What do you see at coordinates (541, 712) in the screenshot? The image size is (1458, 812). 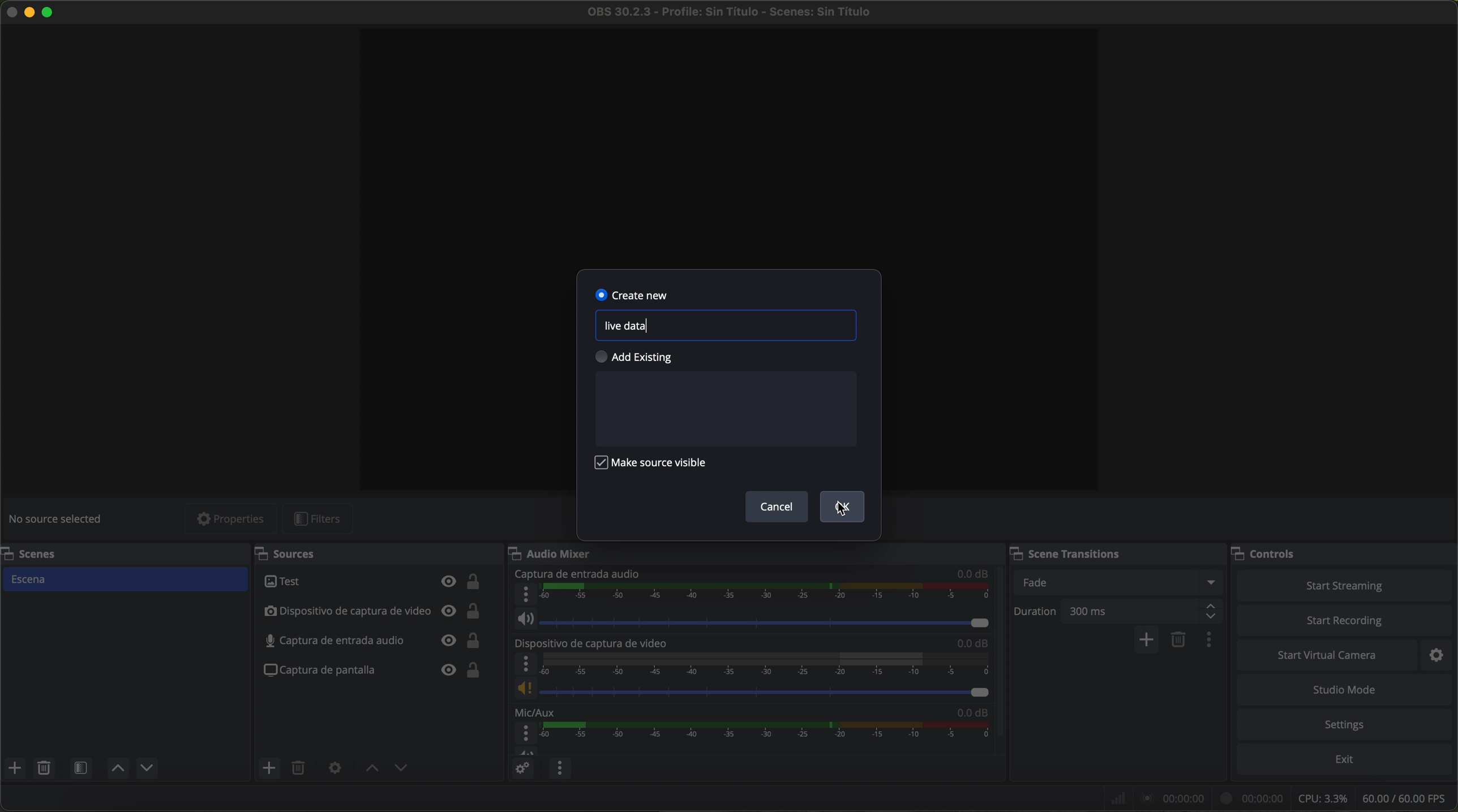 I see `mic/aux` at bounding box center [541, 712].